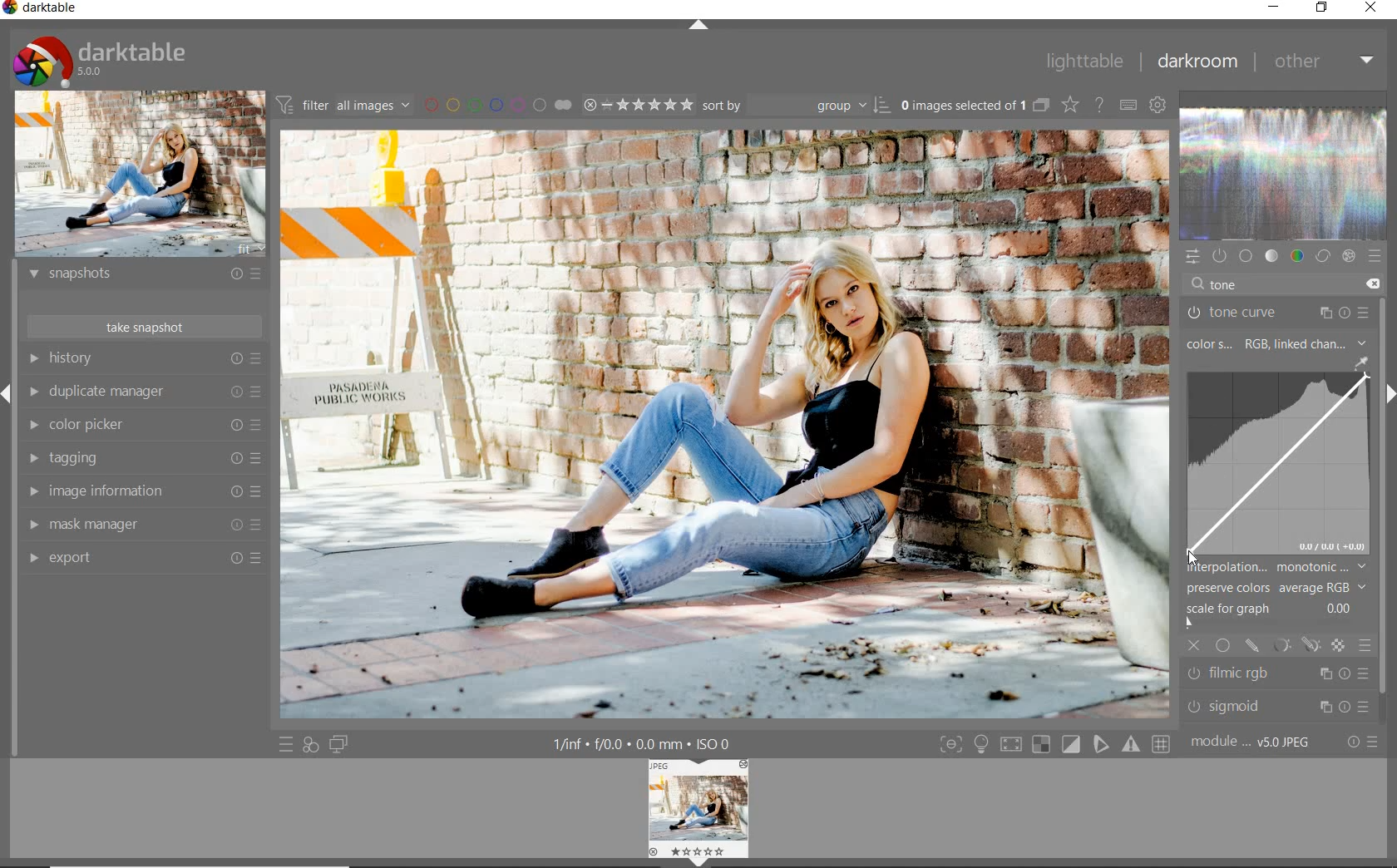  What do you see at coordinates (1083, 64) in the screenshot?
I see `lighttable` at bounding box center [1083, 64].